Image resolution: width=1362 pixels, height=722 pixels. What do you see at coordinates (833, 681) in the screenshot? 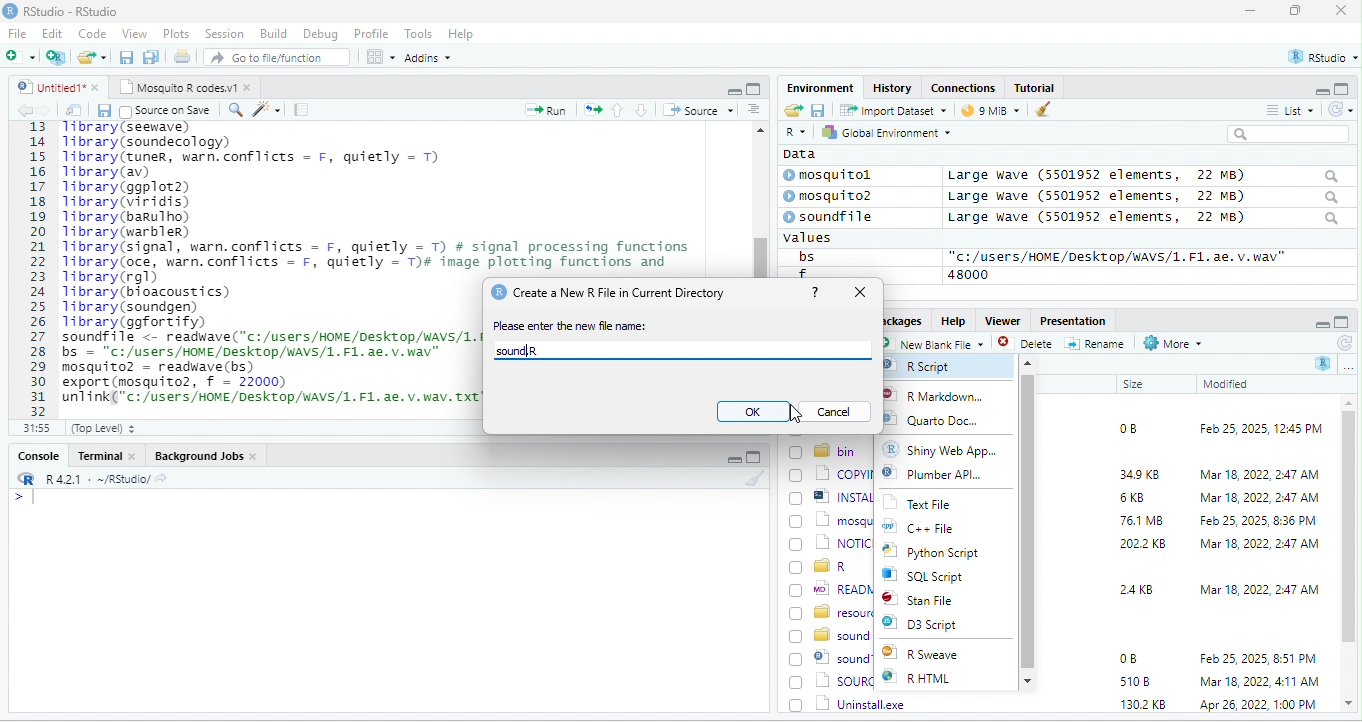
I see `| SOURCE` at bounding box center [833, 681].